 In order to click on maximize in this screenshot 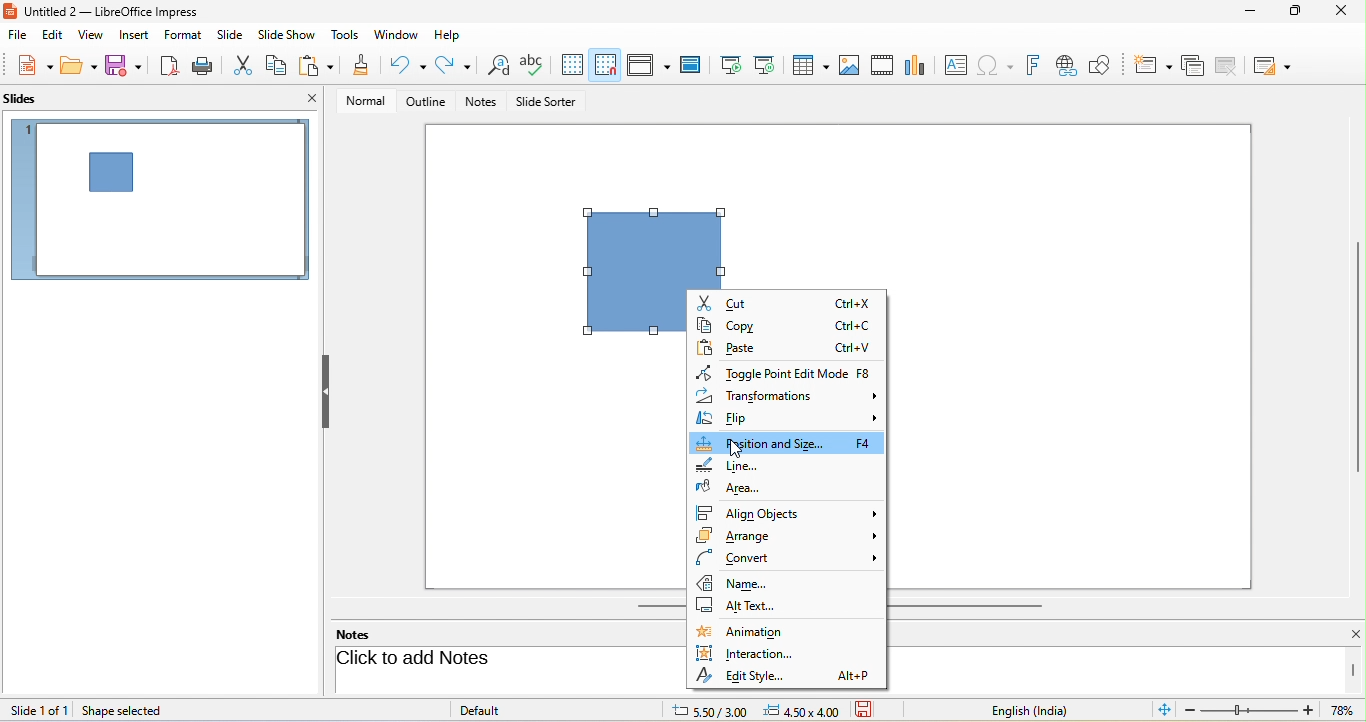, I will do `click(1288, 15)`.